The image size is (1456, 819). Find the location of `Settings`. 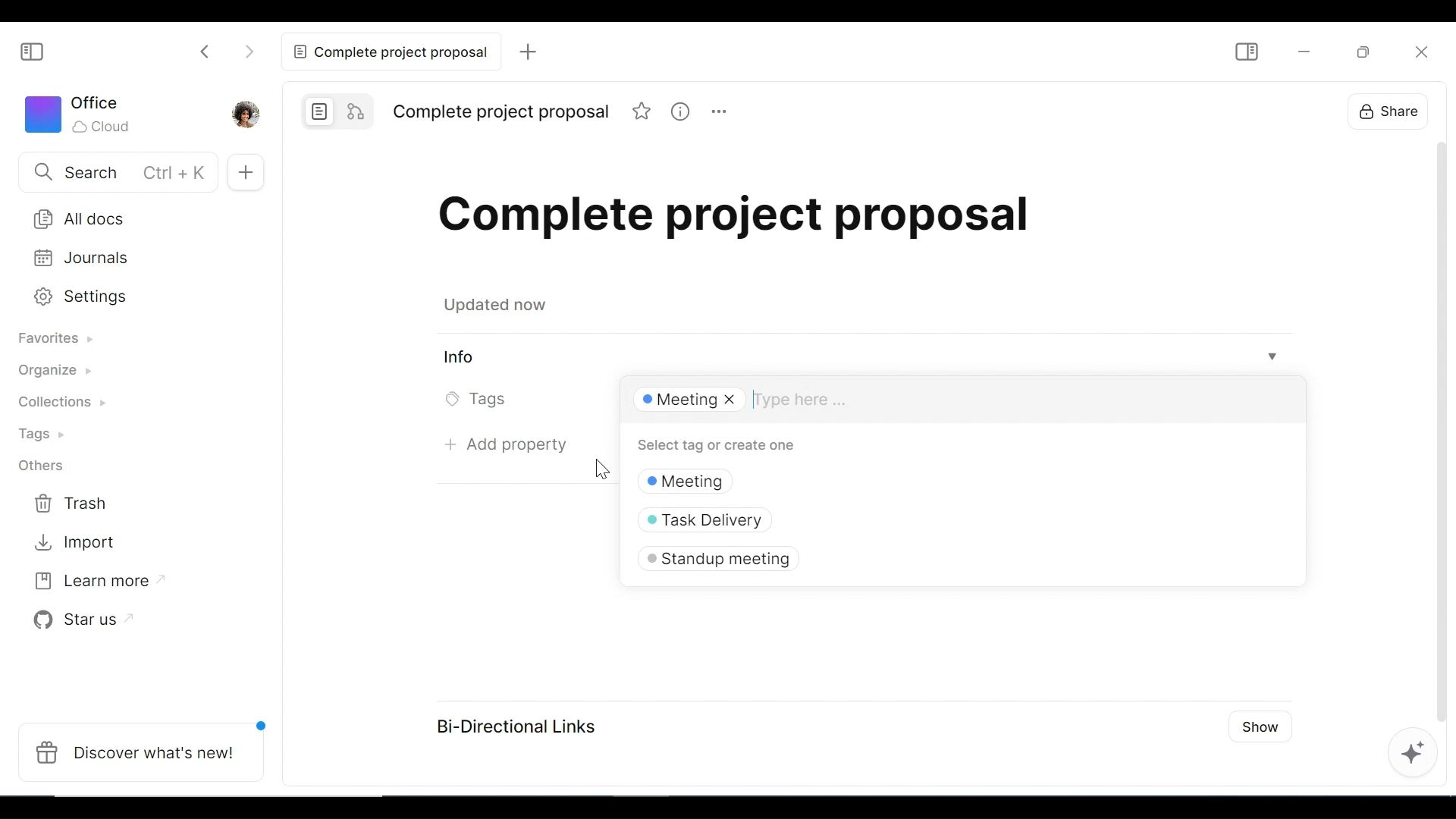

Settings is located at coordinates (128, 297).